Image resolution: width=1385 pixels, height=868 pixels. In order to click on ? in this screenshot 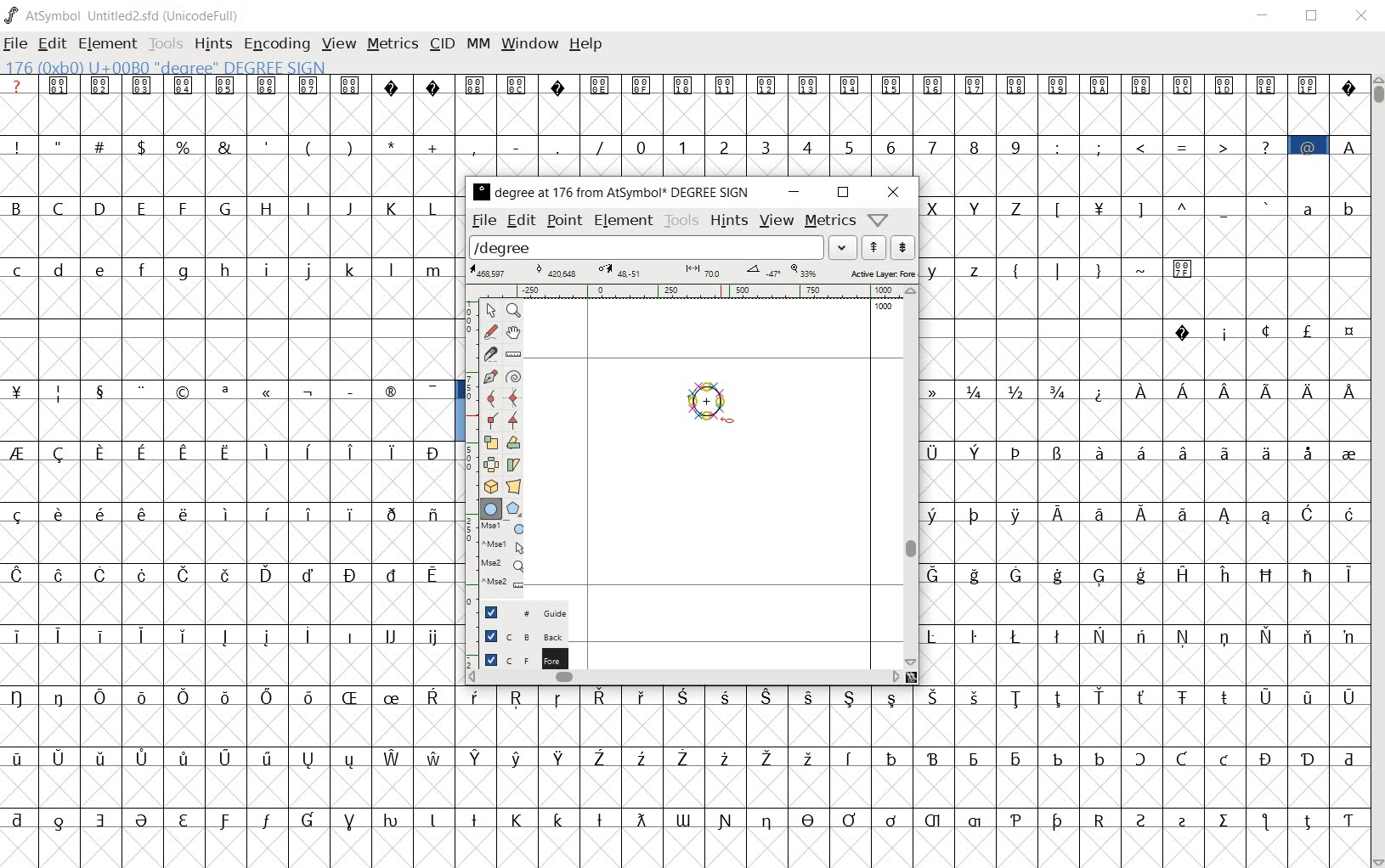, I will do `click(17, 86)`.